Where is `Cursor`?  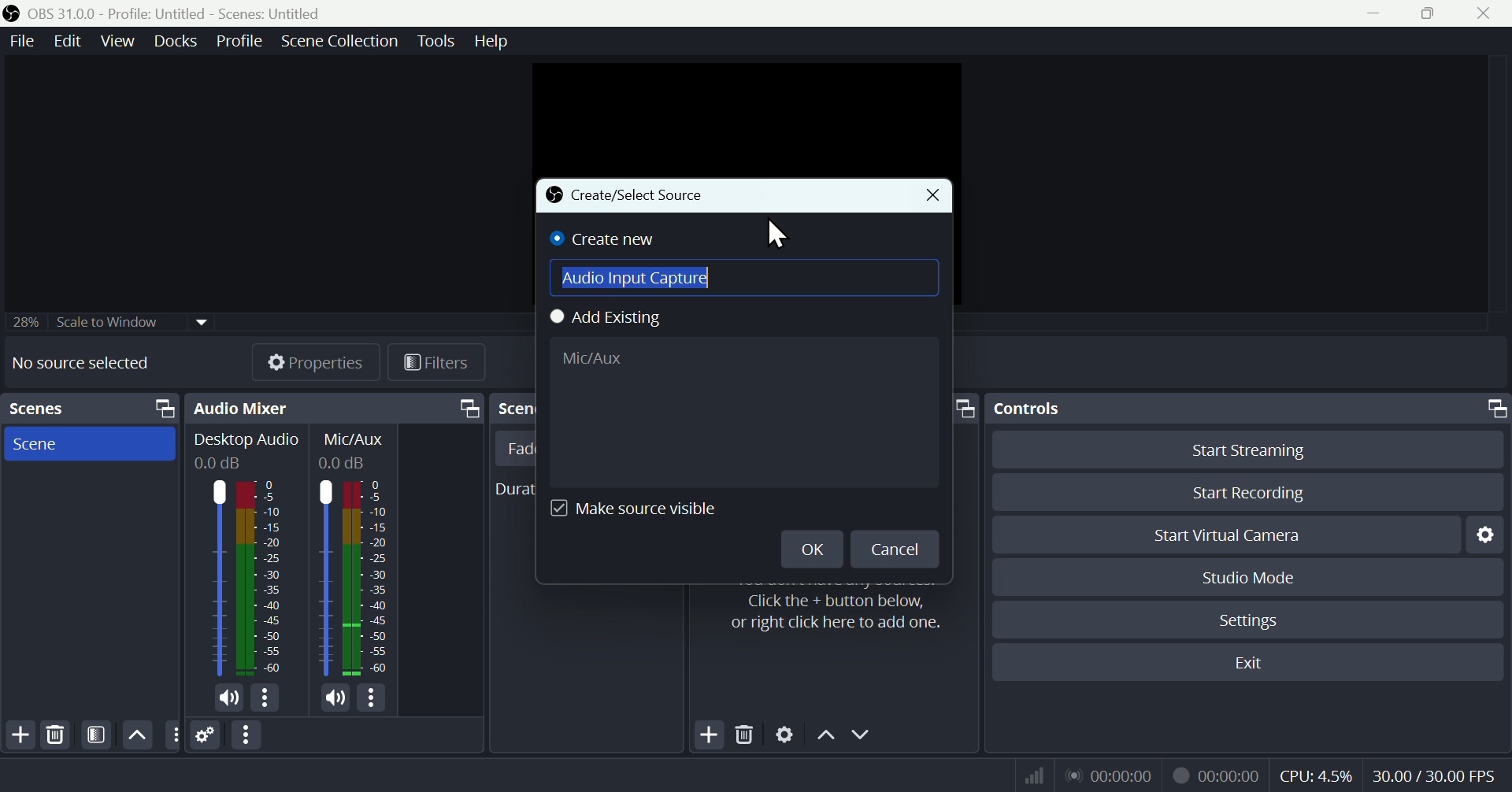 Cursor is located at coordinates (777, 236).